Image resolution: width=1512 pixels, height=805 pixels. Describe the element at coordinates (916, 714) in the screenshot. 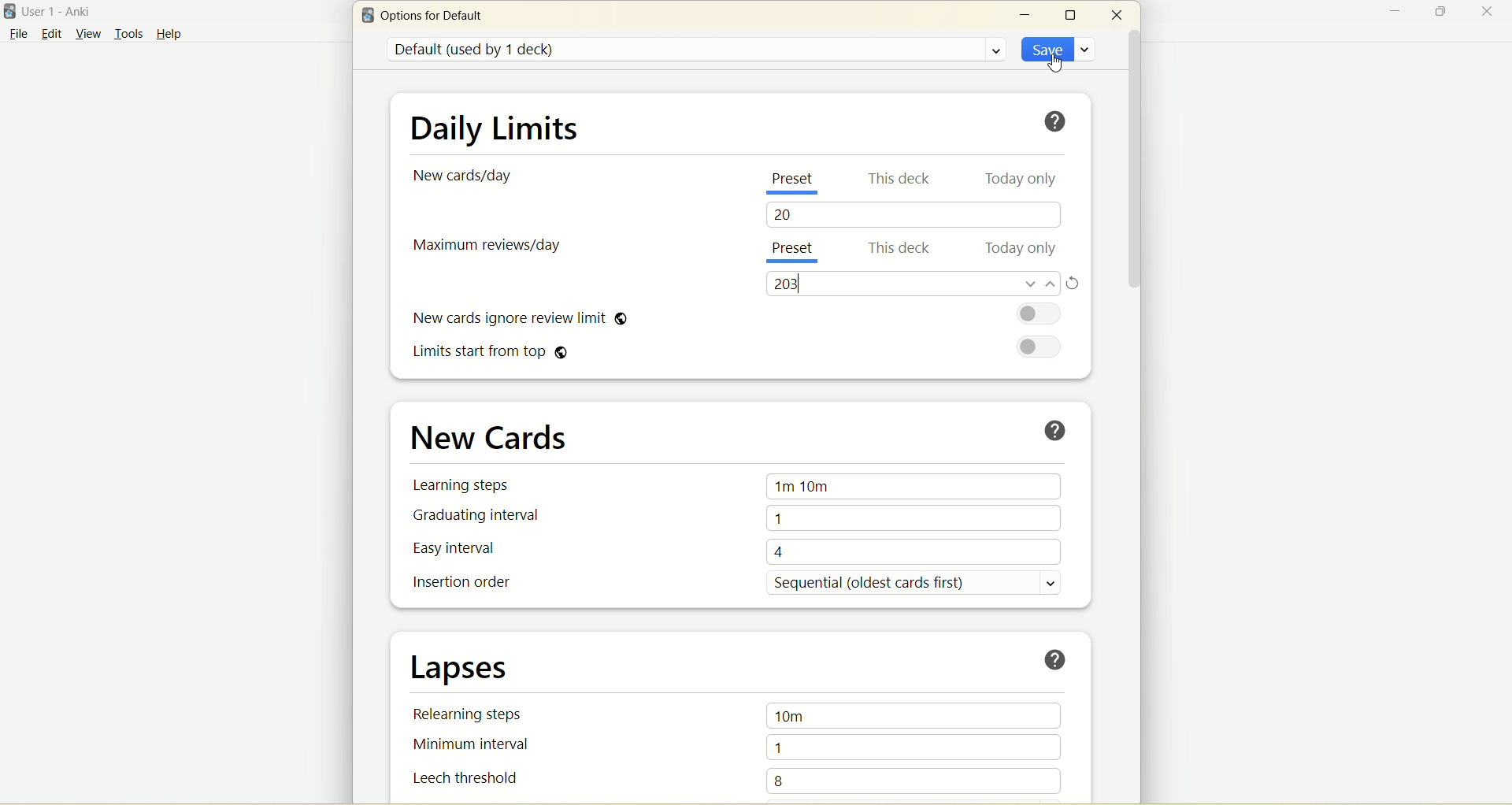

I see `10m` at that location.